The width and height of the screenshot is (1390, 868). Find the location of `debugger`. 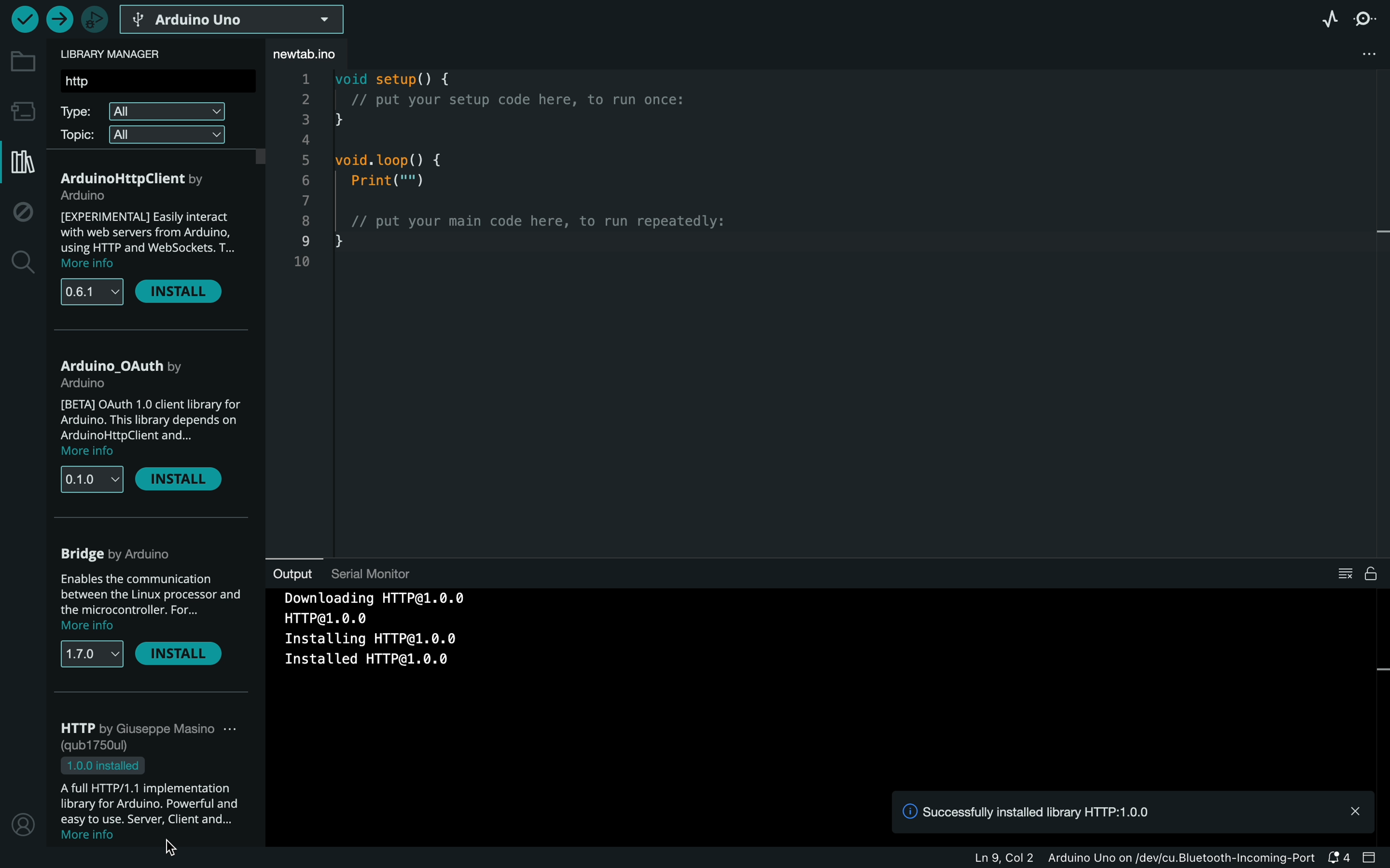

debugger is located at coordinates (96, 17).